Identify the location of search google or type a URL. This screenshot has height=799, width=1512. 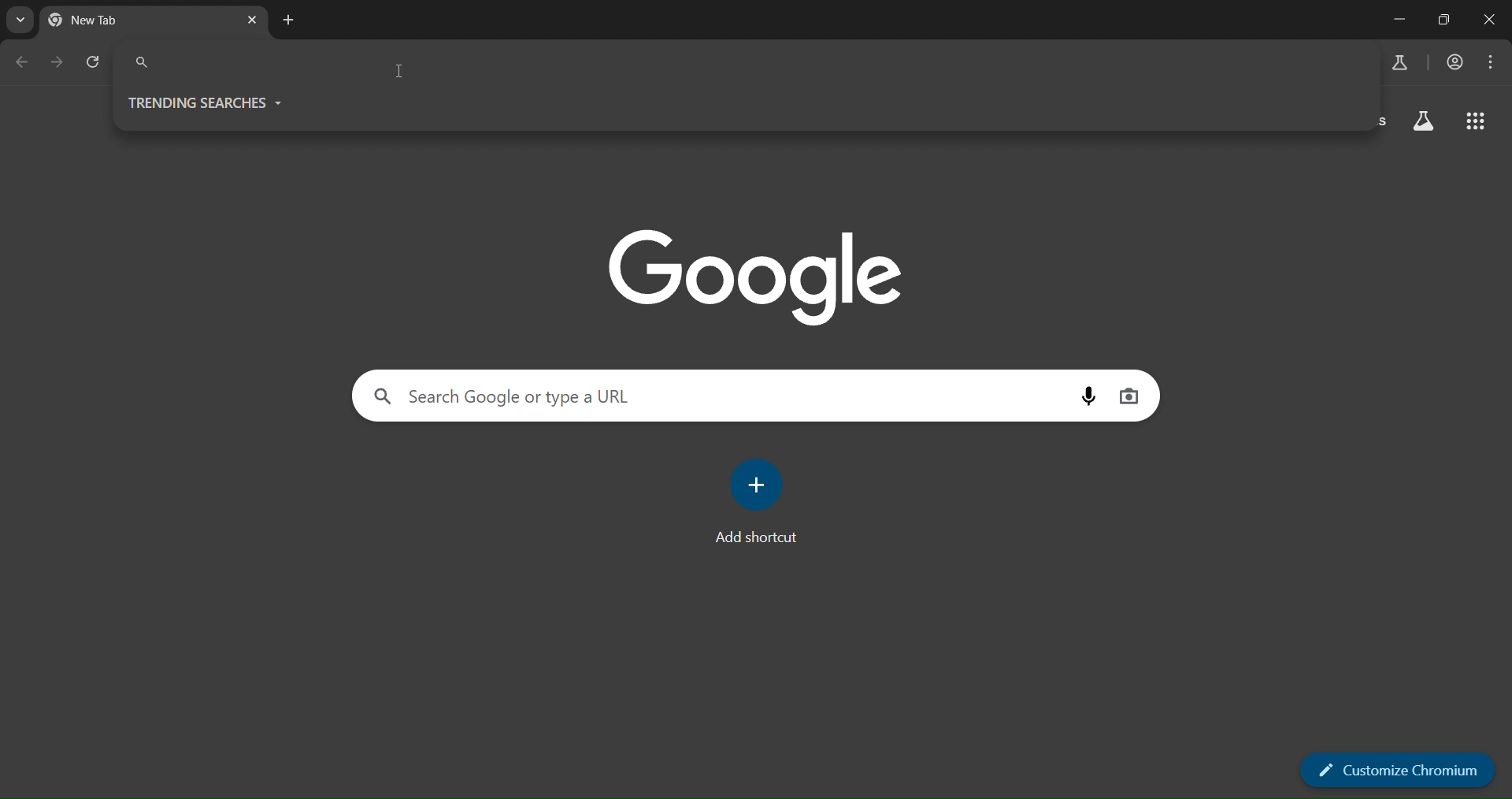
(727, 62).